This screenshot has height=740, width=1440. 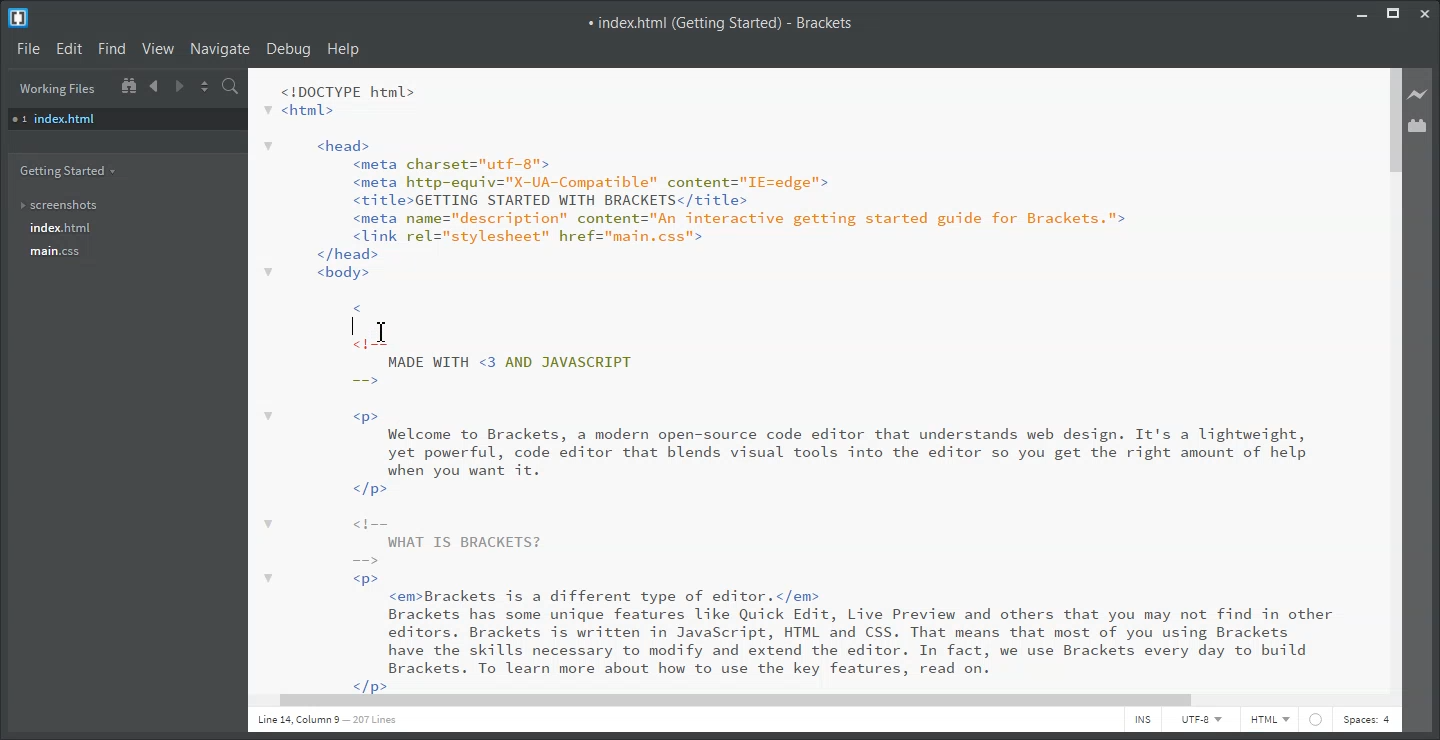 What do you see at coordinates (220, 49) in the screenshot?
I see `Navigate` at bounding box center [220, 49].